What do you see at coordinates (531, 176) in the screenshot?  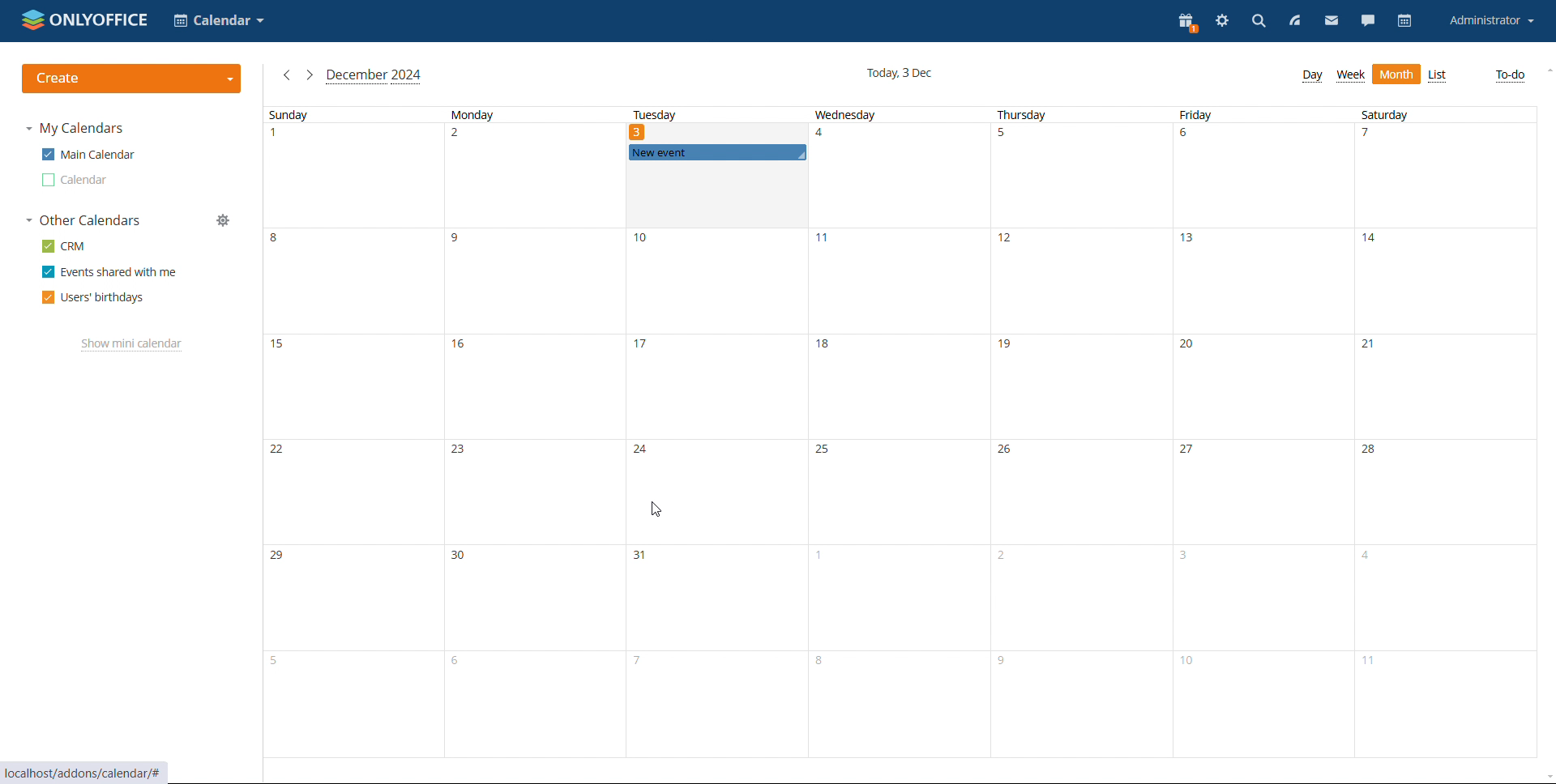 I see `date` at bounding box center [531, 176].